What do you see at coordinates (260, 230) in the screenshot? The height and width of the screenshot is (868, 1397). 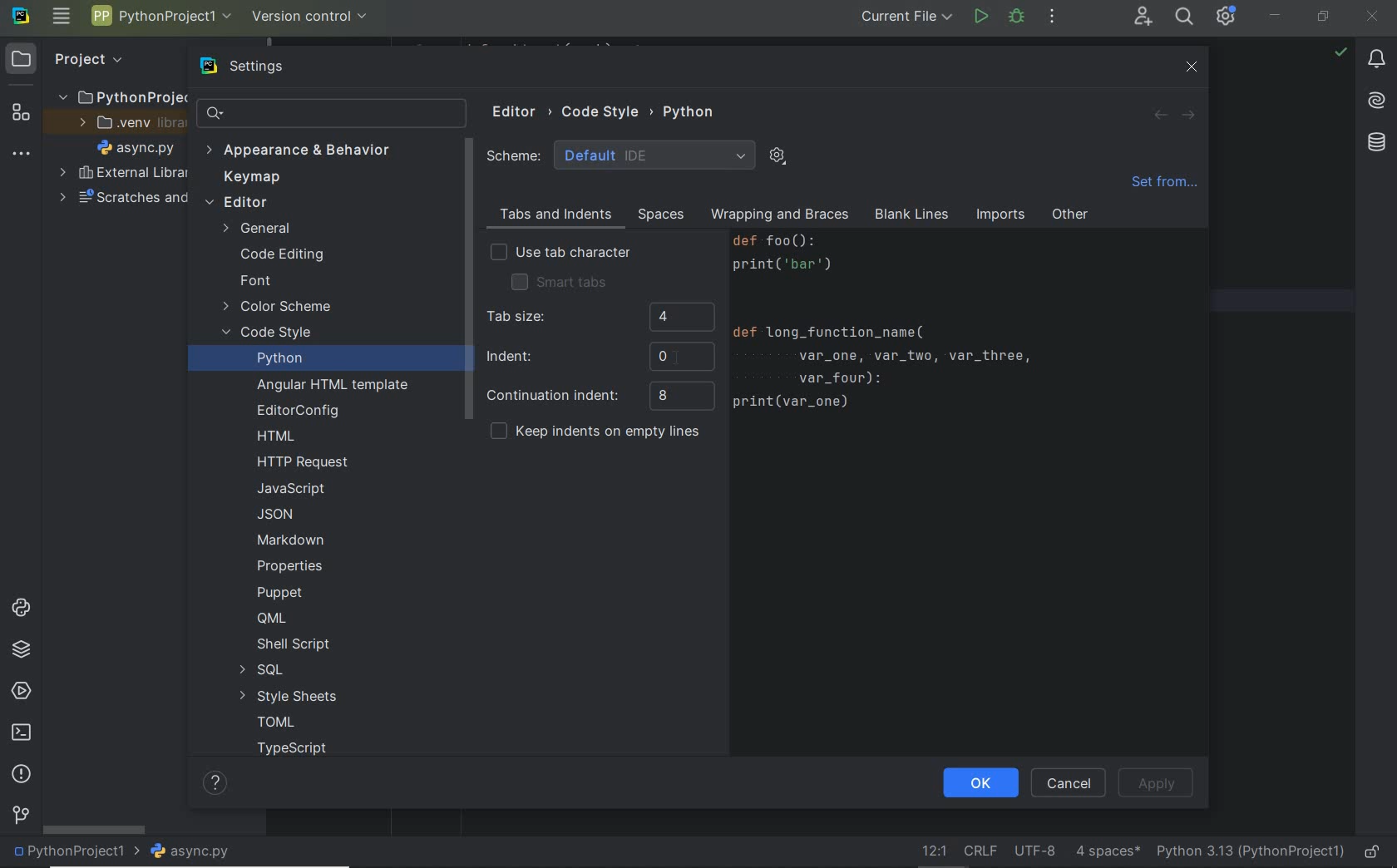 I see `General` at bounding box center [260, 230].